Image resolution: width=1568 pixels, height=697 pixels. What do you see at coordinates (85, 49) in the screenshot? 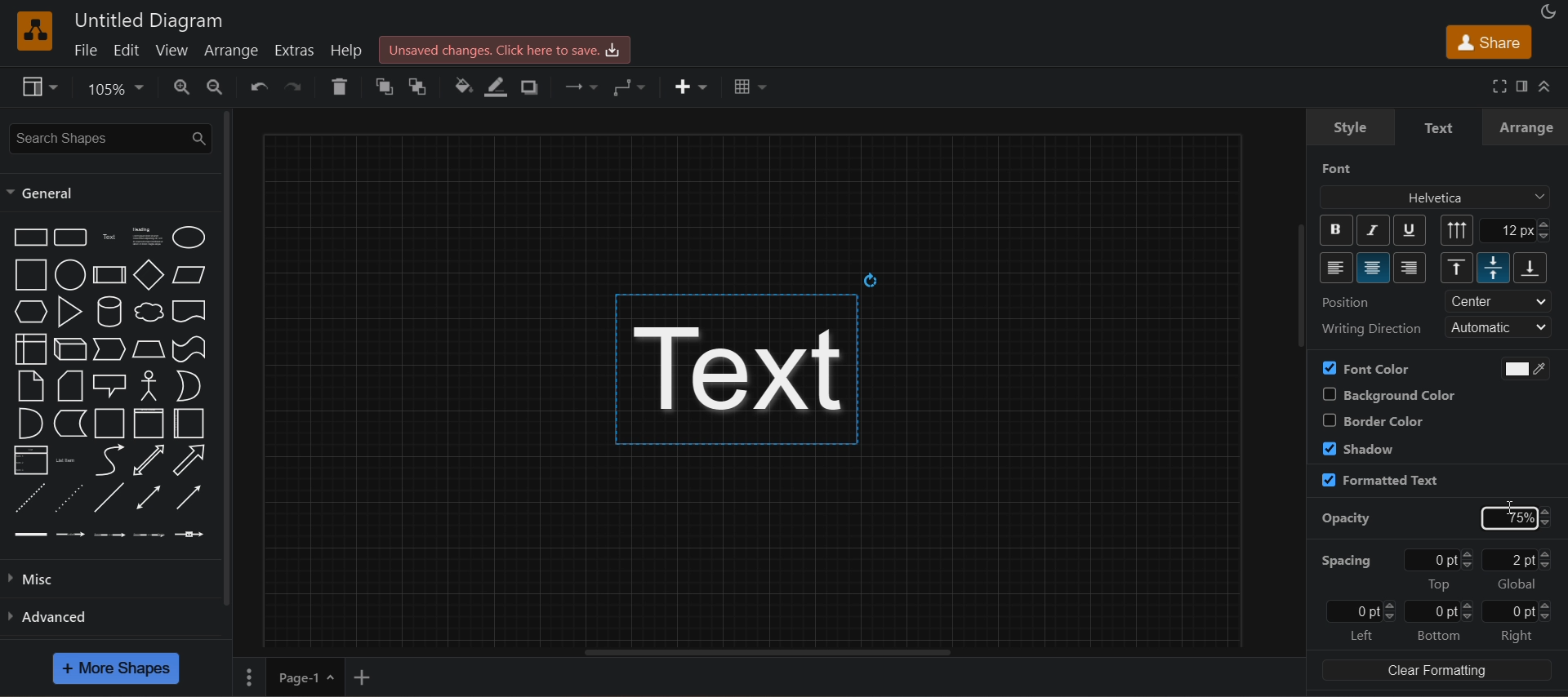
I see `file` at bounding box center [85, 49].